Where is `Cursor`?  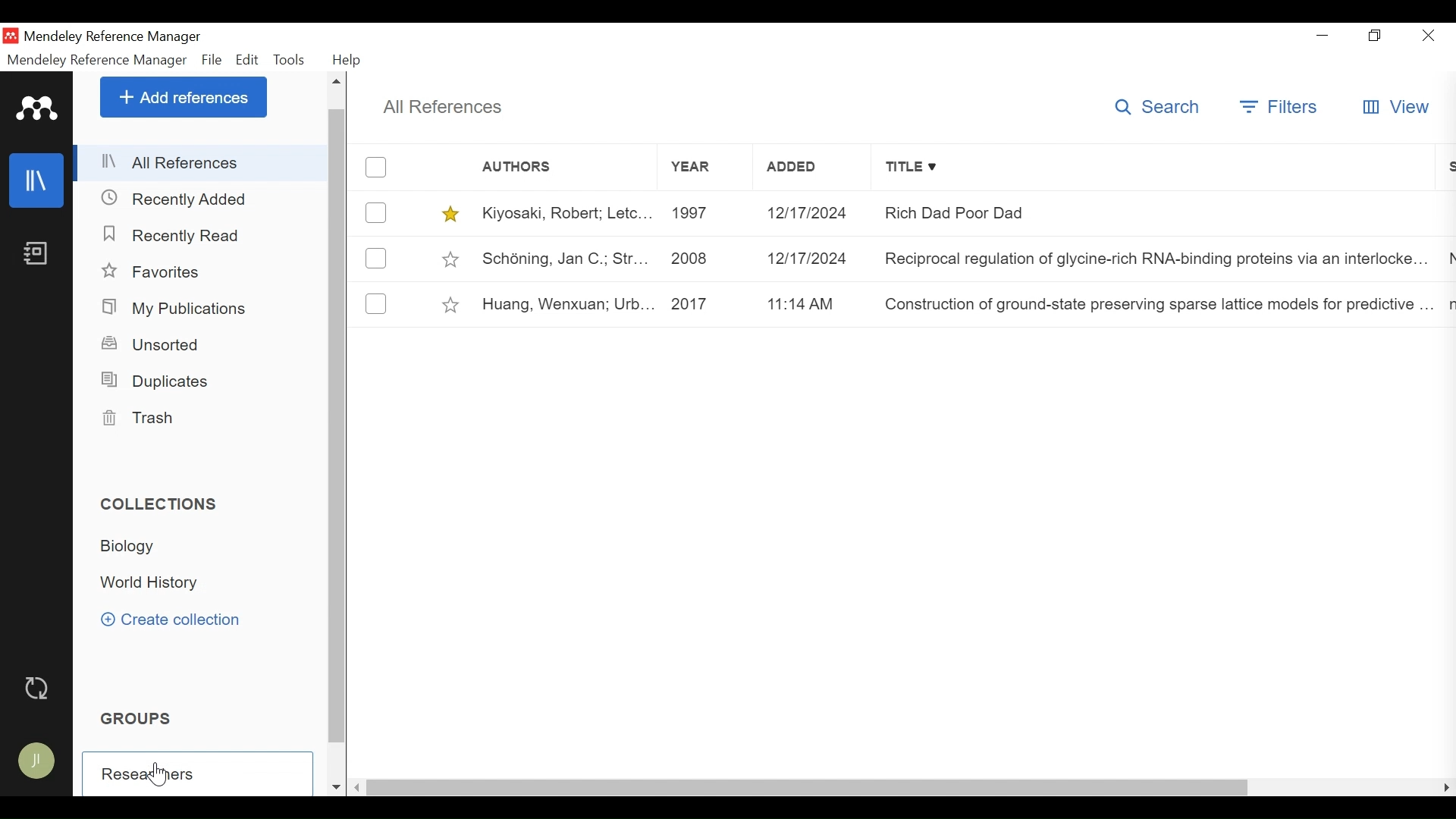 Cursor is located at coordinates (160, 777).